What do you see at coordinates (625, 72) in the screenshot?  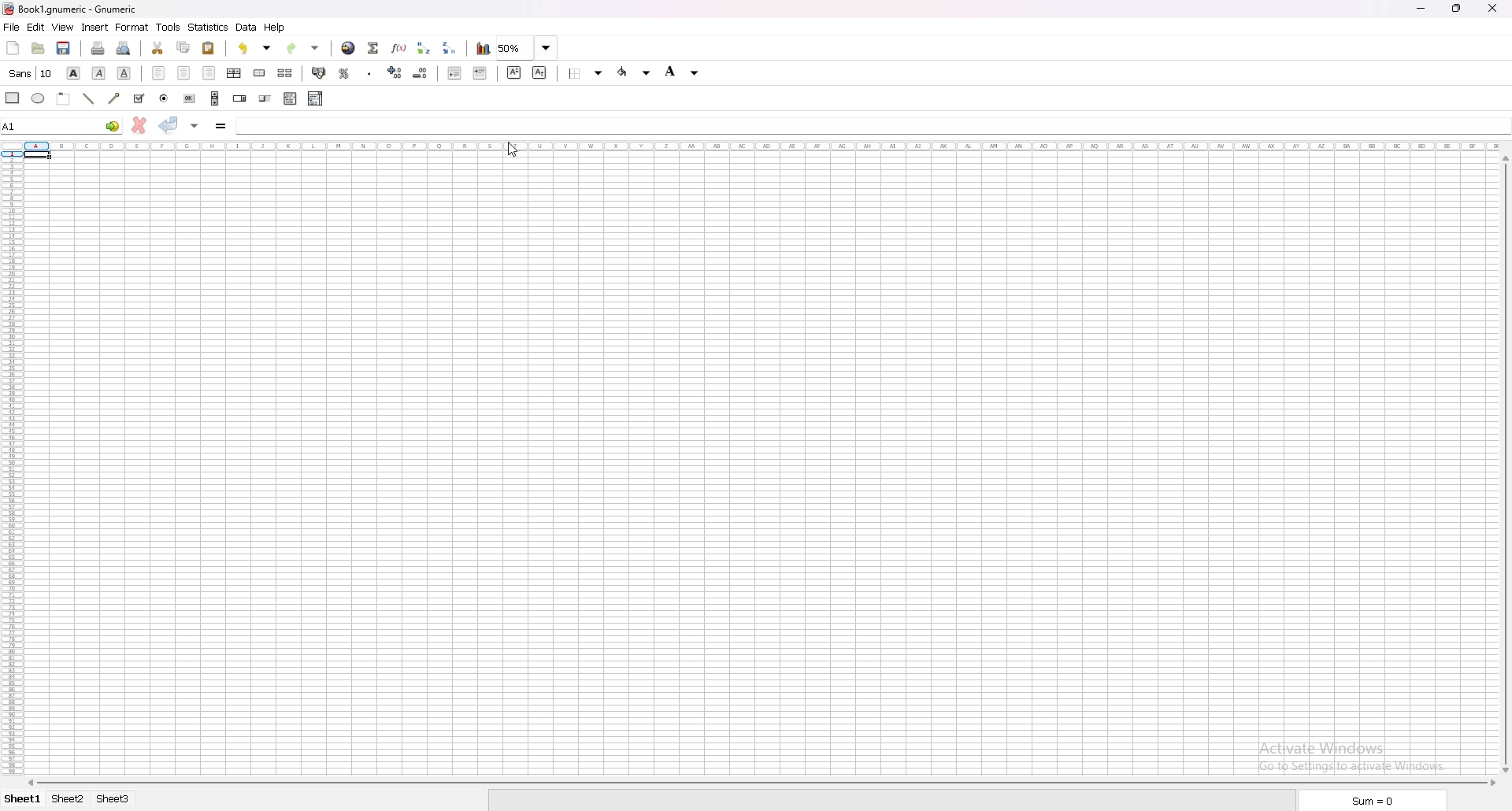 I see `foreground` at bounding box center [625, 72].